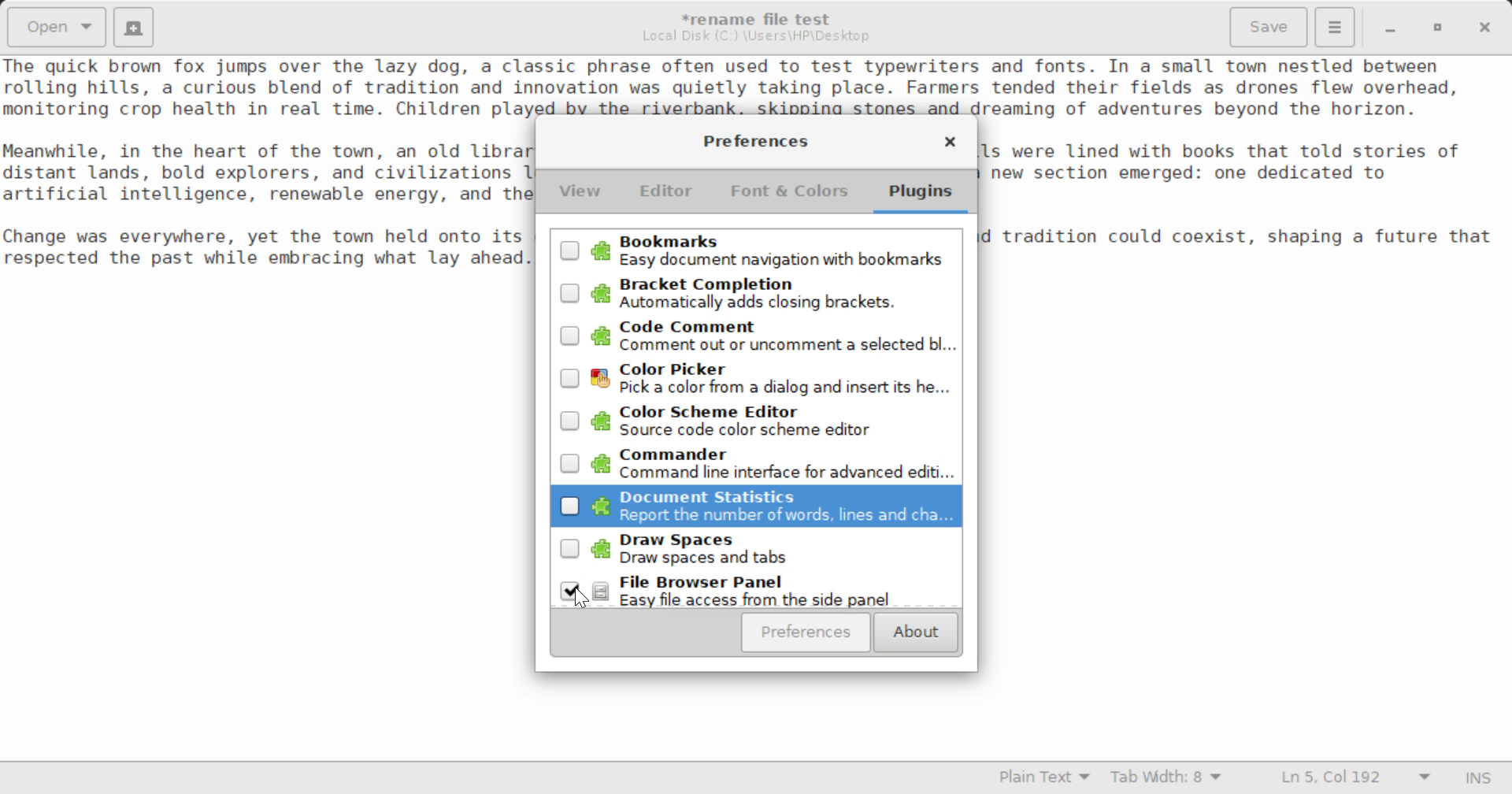  I want to click on Unselected Commander Plugin, so click(758, 466).